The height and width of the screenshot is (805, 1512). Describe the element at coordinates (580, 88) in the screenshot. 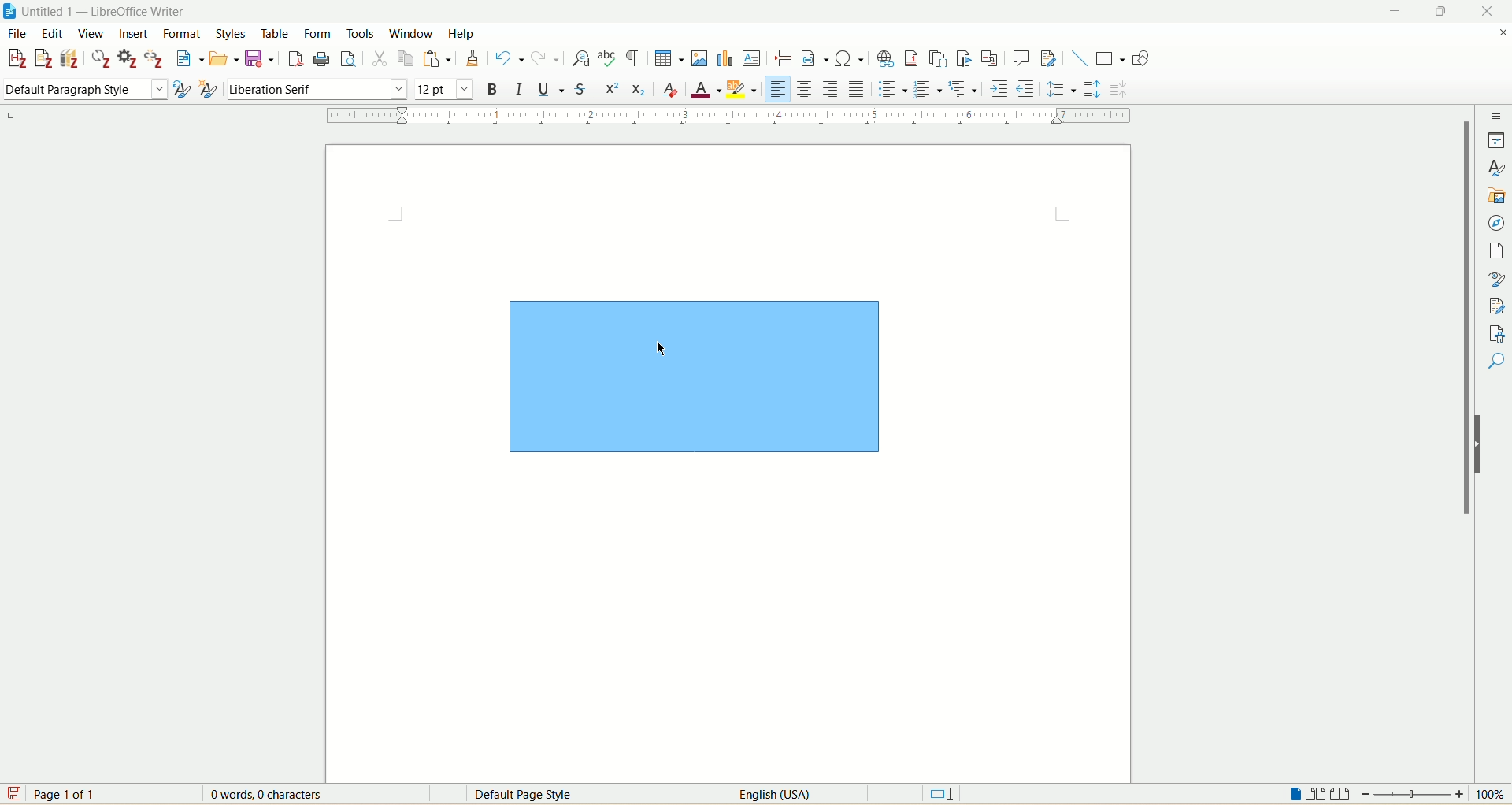

I see `strikethrough` at that location.